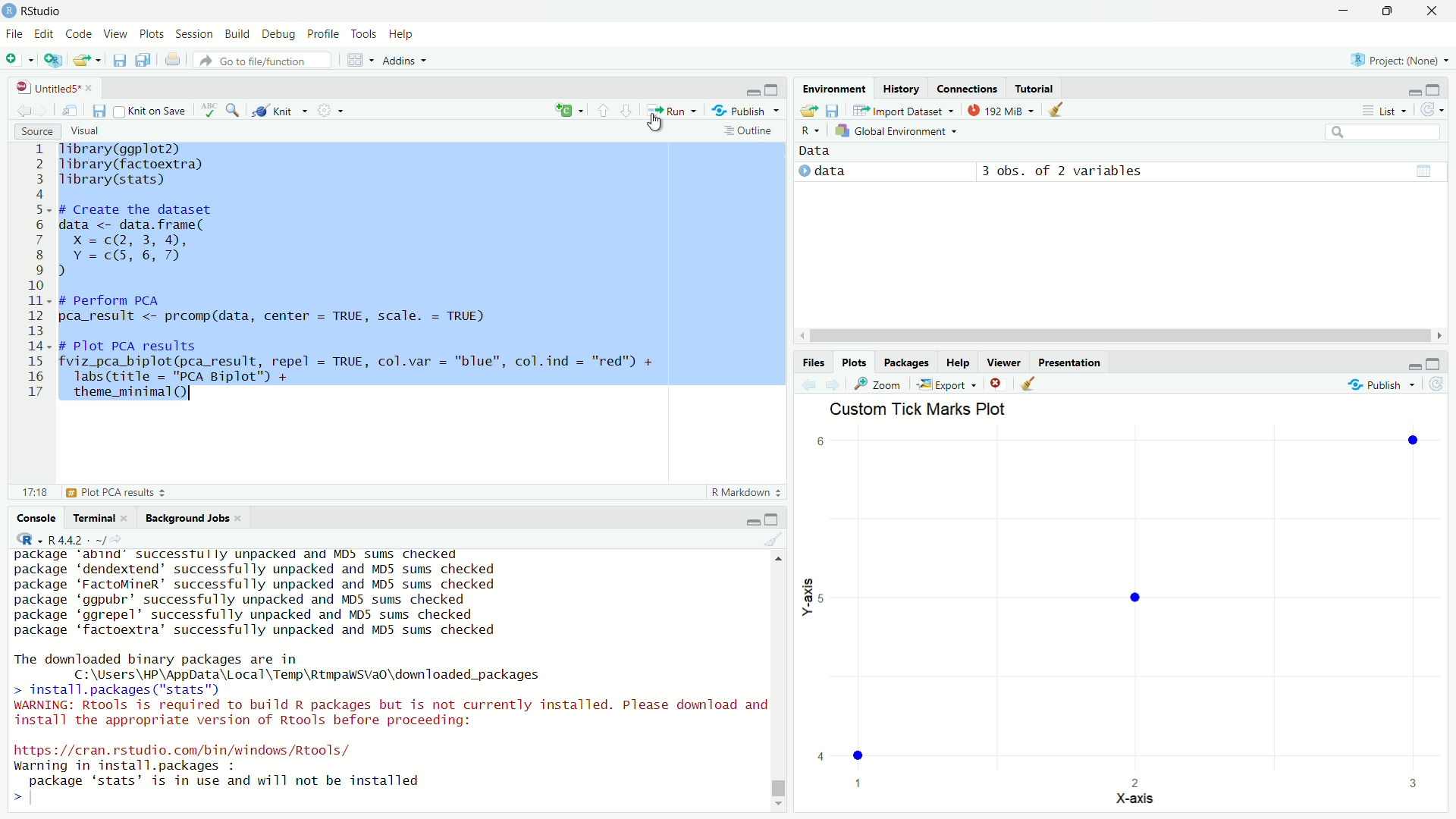 This screenshot has height=819, width=1456. I want to click on minimize, so click(1344, 11).